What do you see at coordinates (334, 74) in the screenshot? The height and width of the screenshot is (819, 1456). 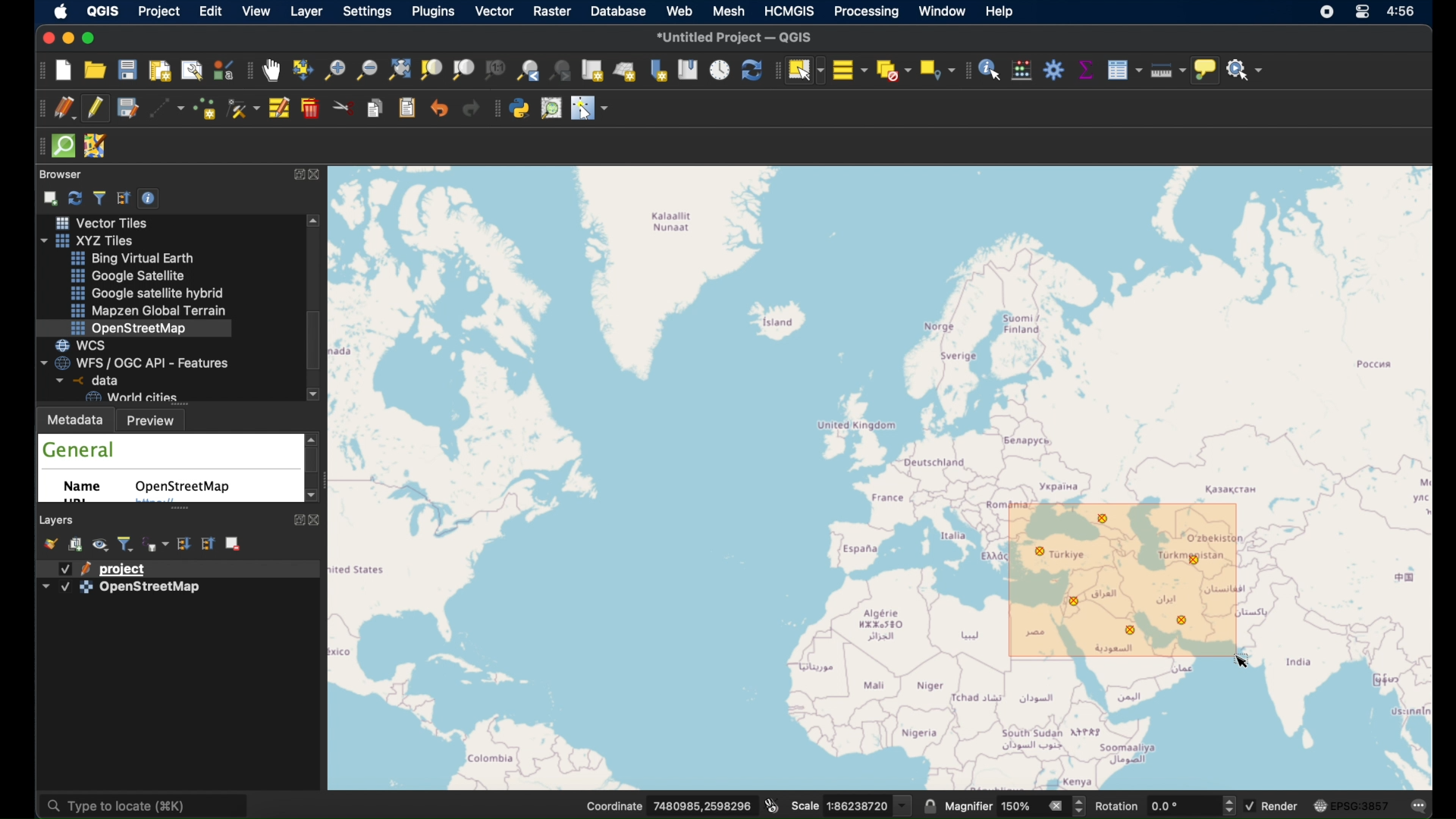 I see `zoom in` at bounding box center [334, 74].